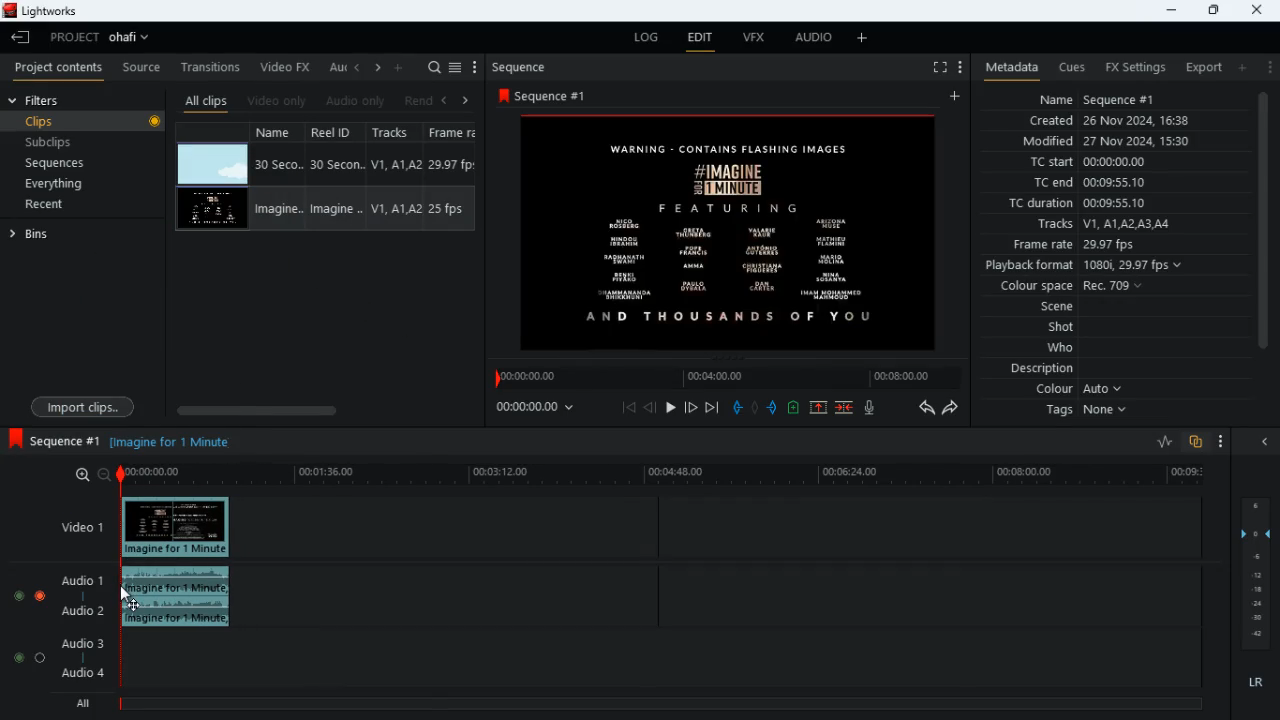 The width and height of the screenshot is (1280, 720). Describe the element at coordinates (659, 702) in the screenshot. I see `timeline` at that location.